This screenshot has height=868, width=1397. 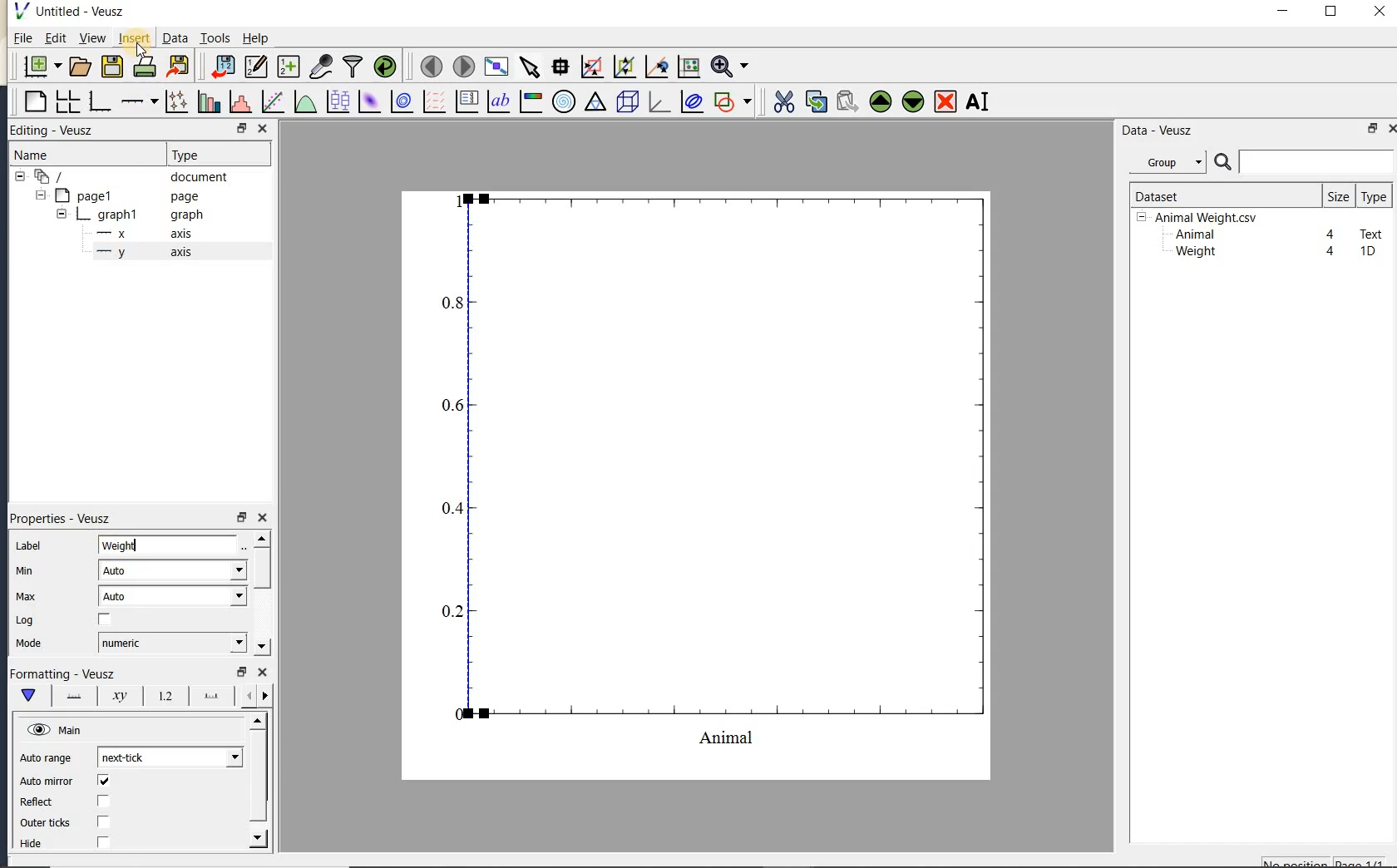 I want to click on cursor, so click(x=139, y=50).